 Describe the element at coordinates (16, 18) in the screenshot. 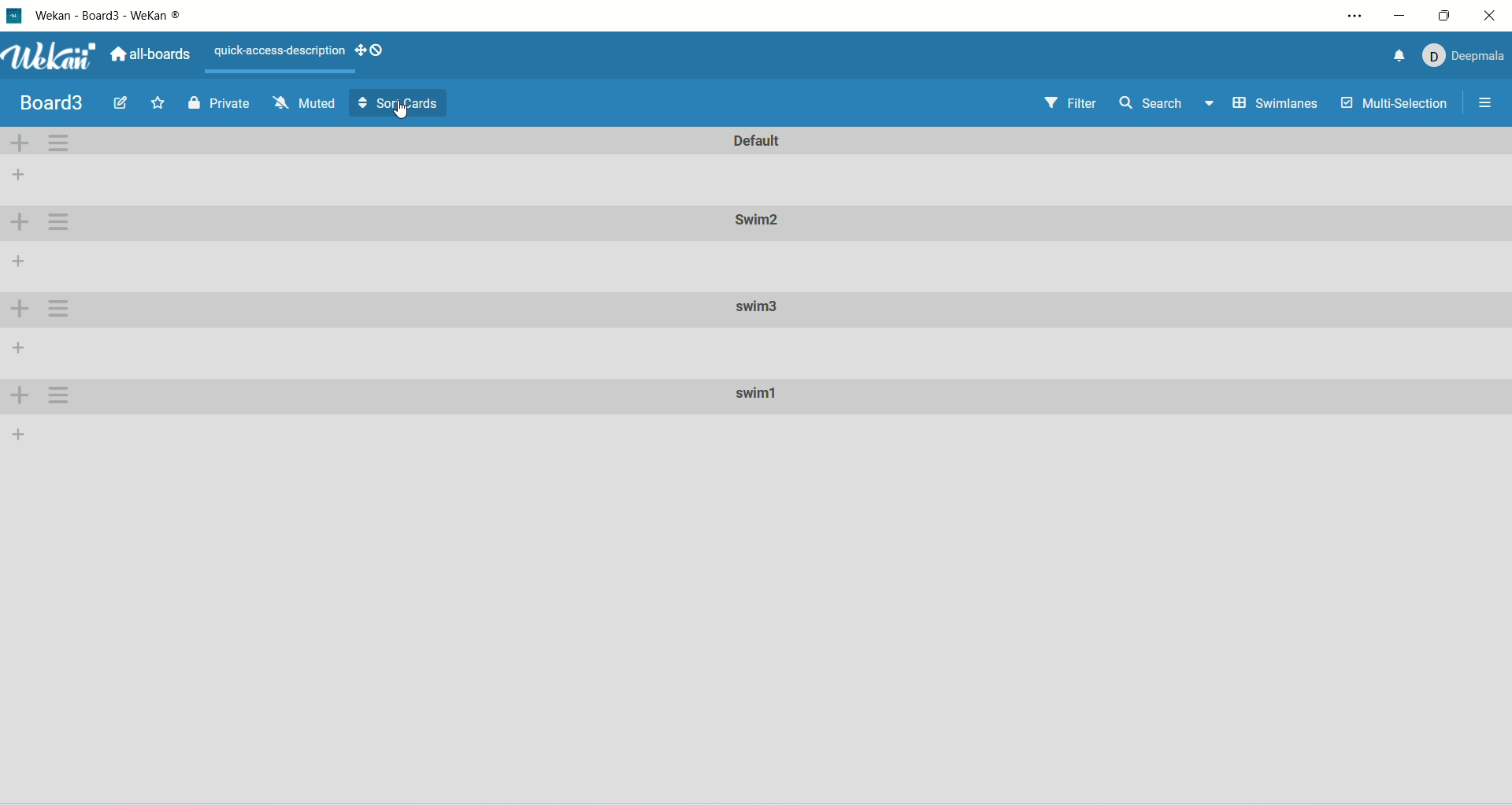

I see `logo` at that location.